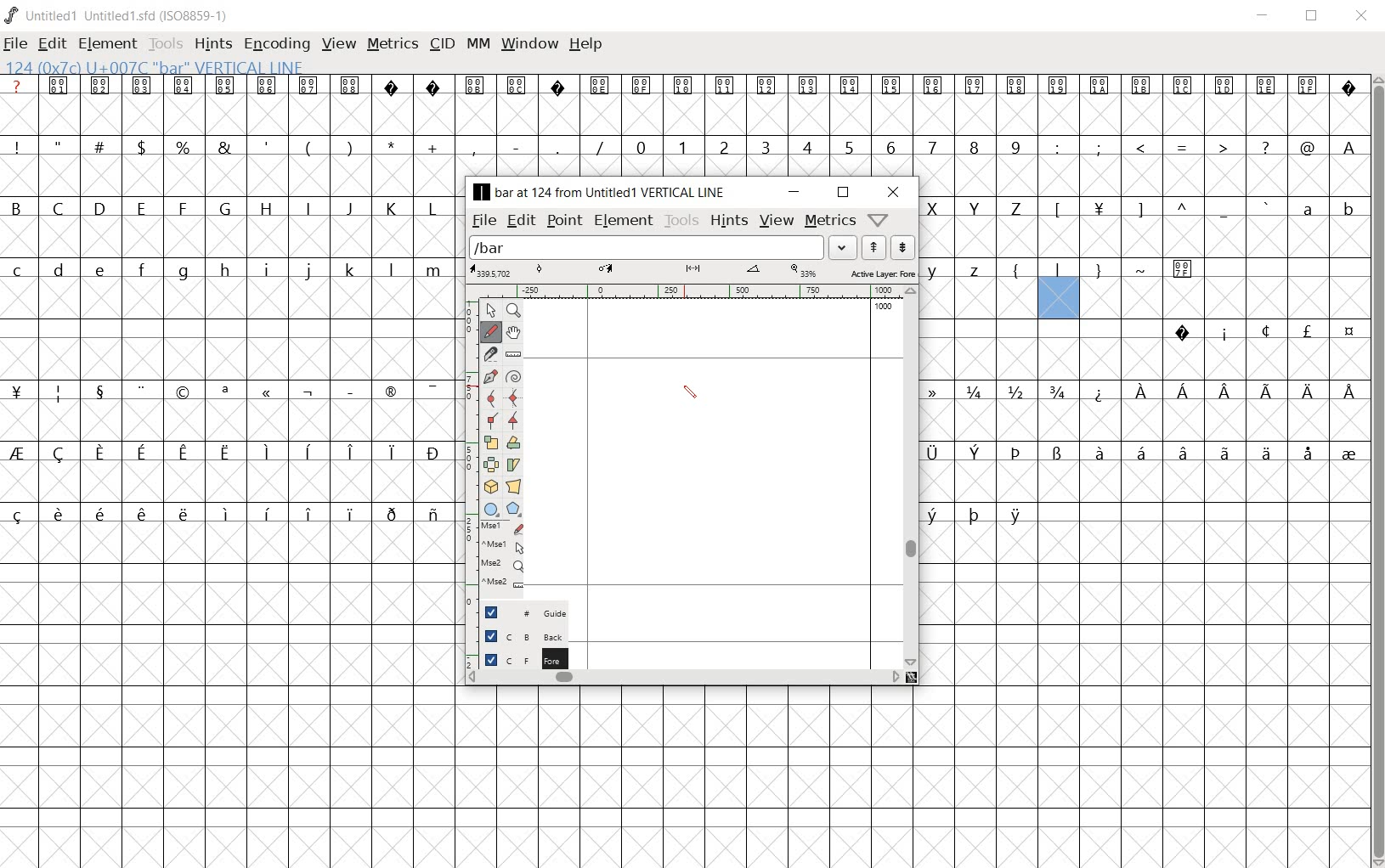 The width and height of the screenshot is (1385, 868). What do you see at coordinates (602, 193) in the screenshot?
I see `BAR AT 124 FROM UNTITLED1 VERTICAL LINE` at bounding box center [602, 193].